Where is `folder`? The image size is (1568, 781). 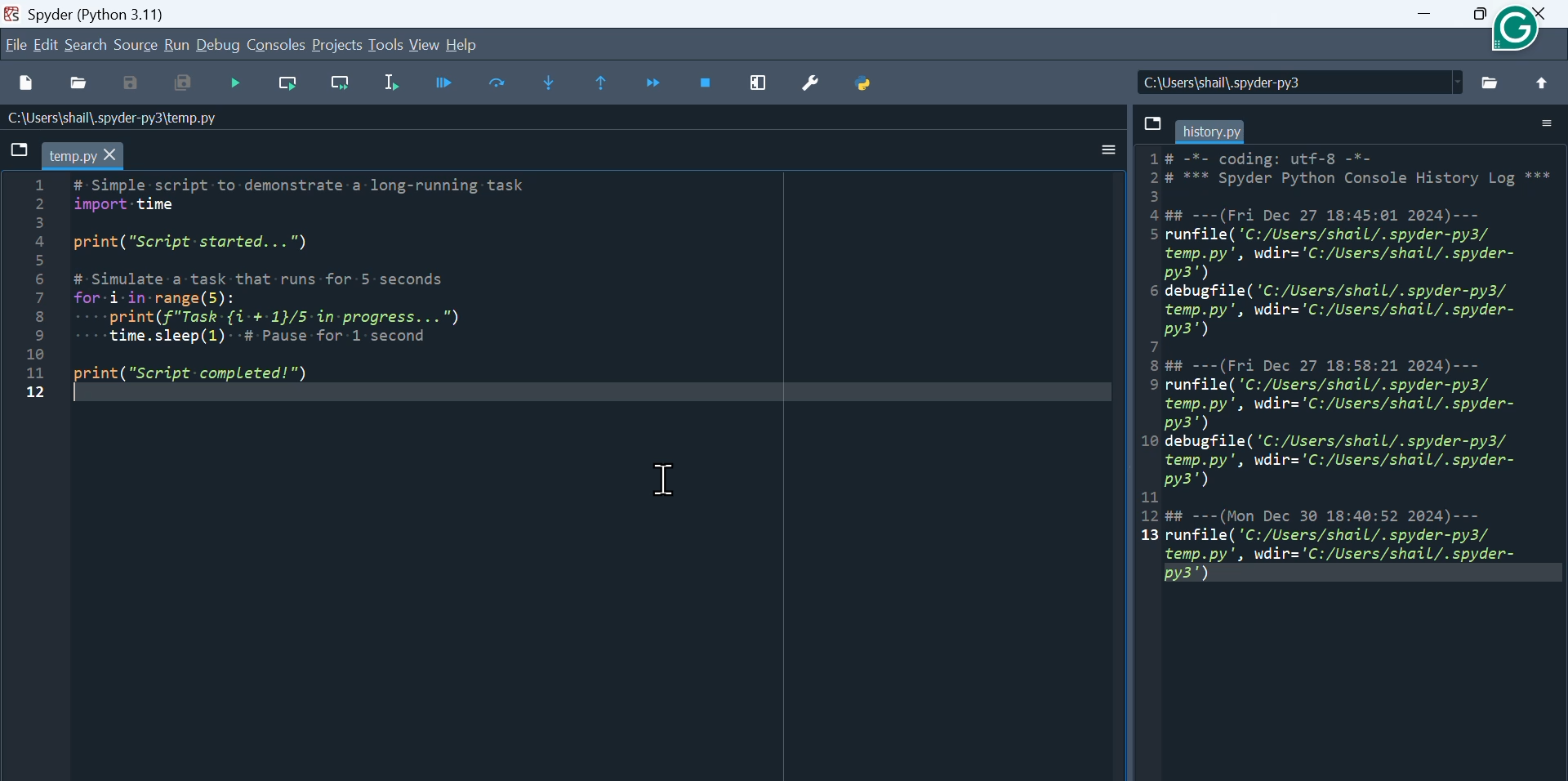 folder is located at coordinates (1483, 83).